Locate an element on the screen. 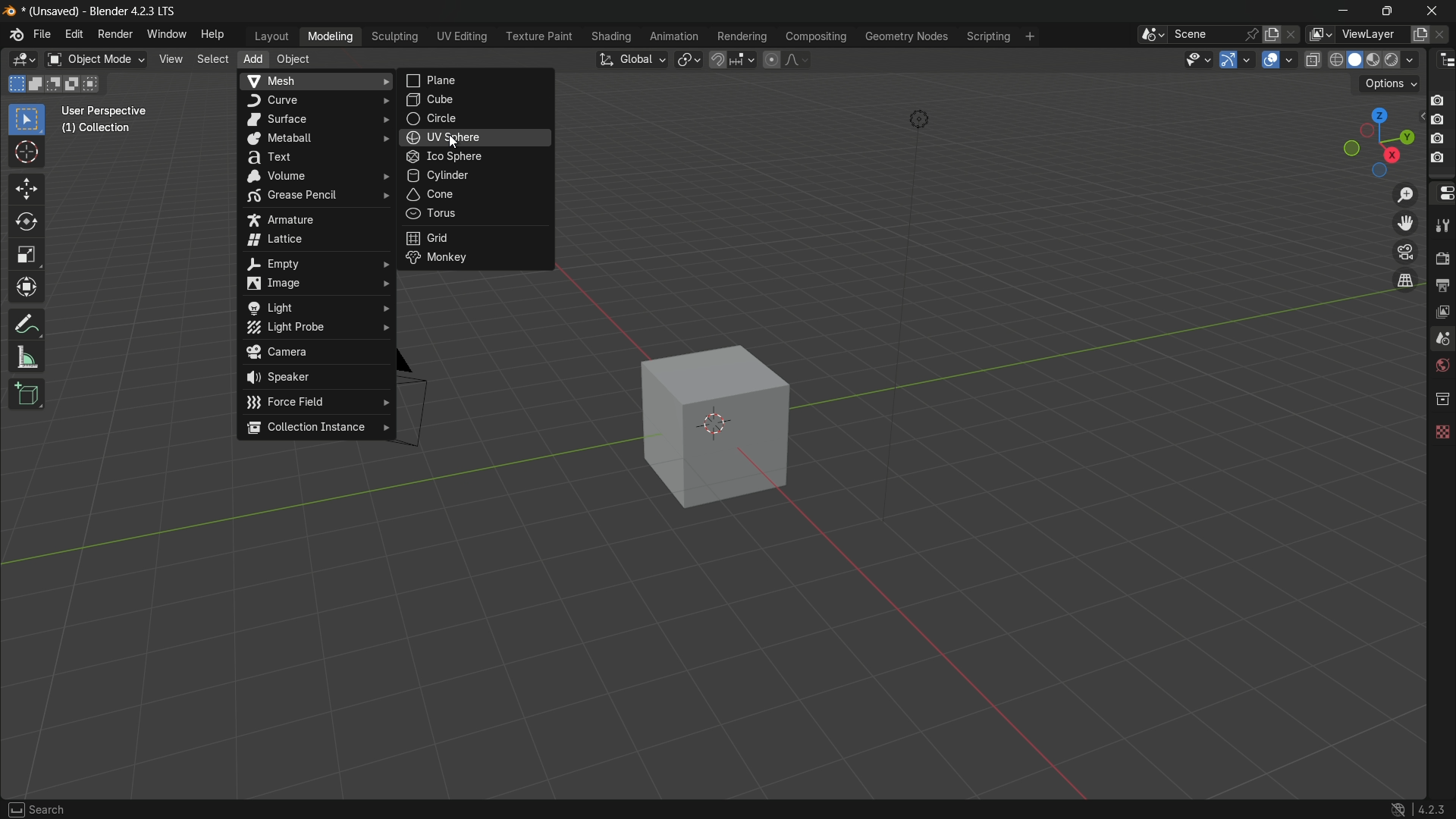 Image resolution: width=1456 pixels, height=819 pixels. camera is located at coordinates (1438, 130).